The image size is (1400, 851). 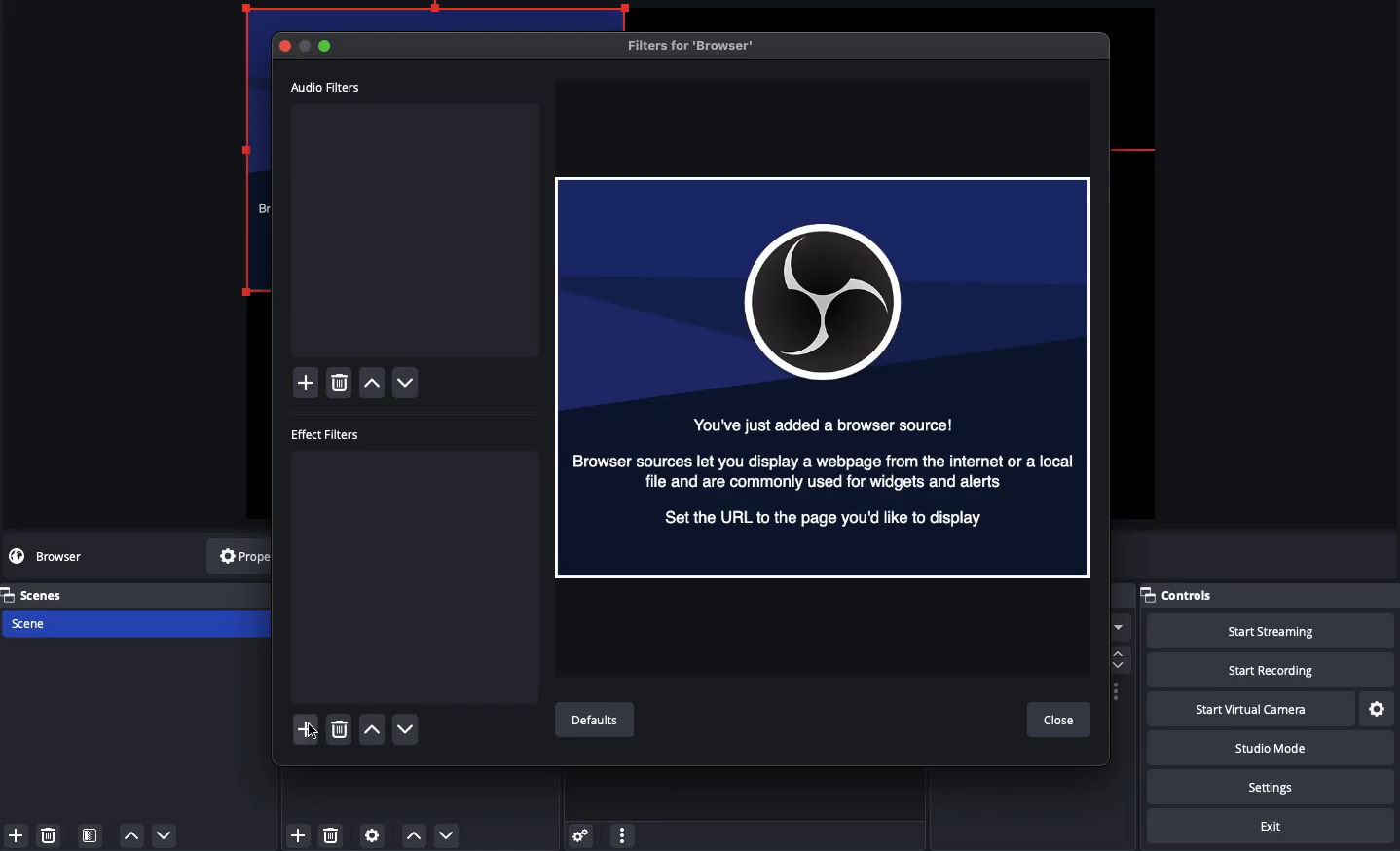 What do you see at coordinates (327, 47) in the screenshot?
I see `Maximize` at bounding box center [327, 47].